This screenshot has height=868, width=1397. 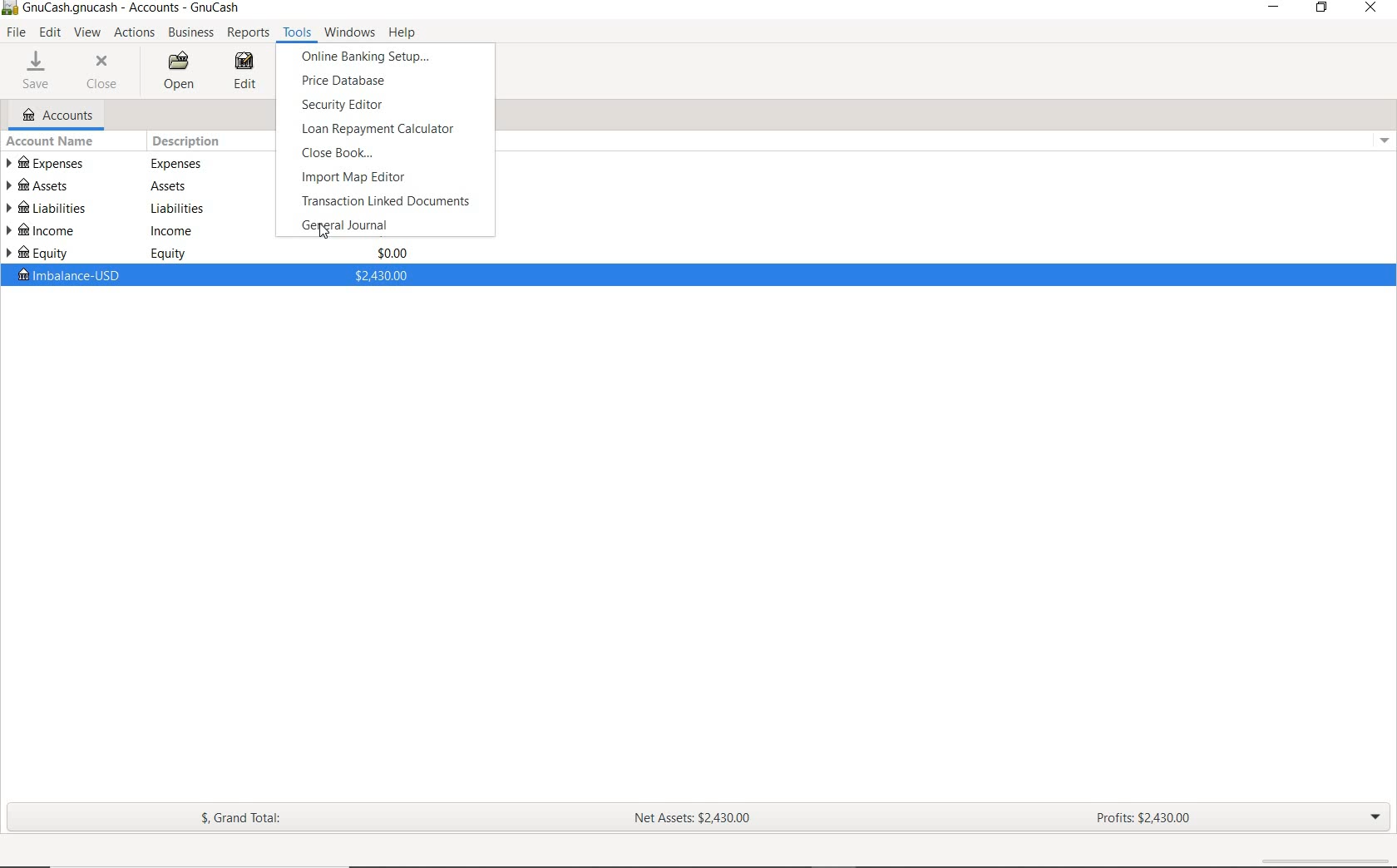 I want to click on , so click(x=170, y=254).